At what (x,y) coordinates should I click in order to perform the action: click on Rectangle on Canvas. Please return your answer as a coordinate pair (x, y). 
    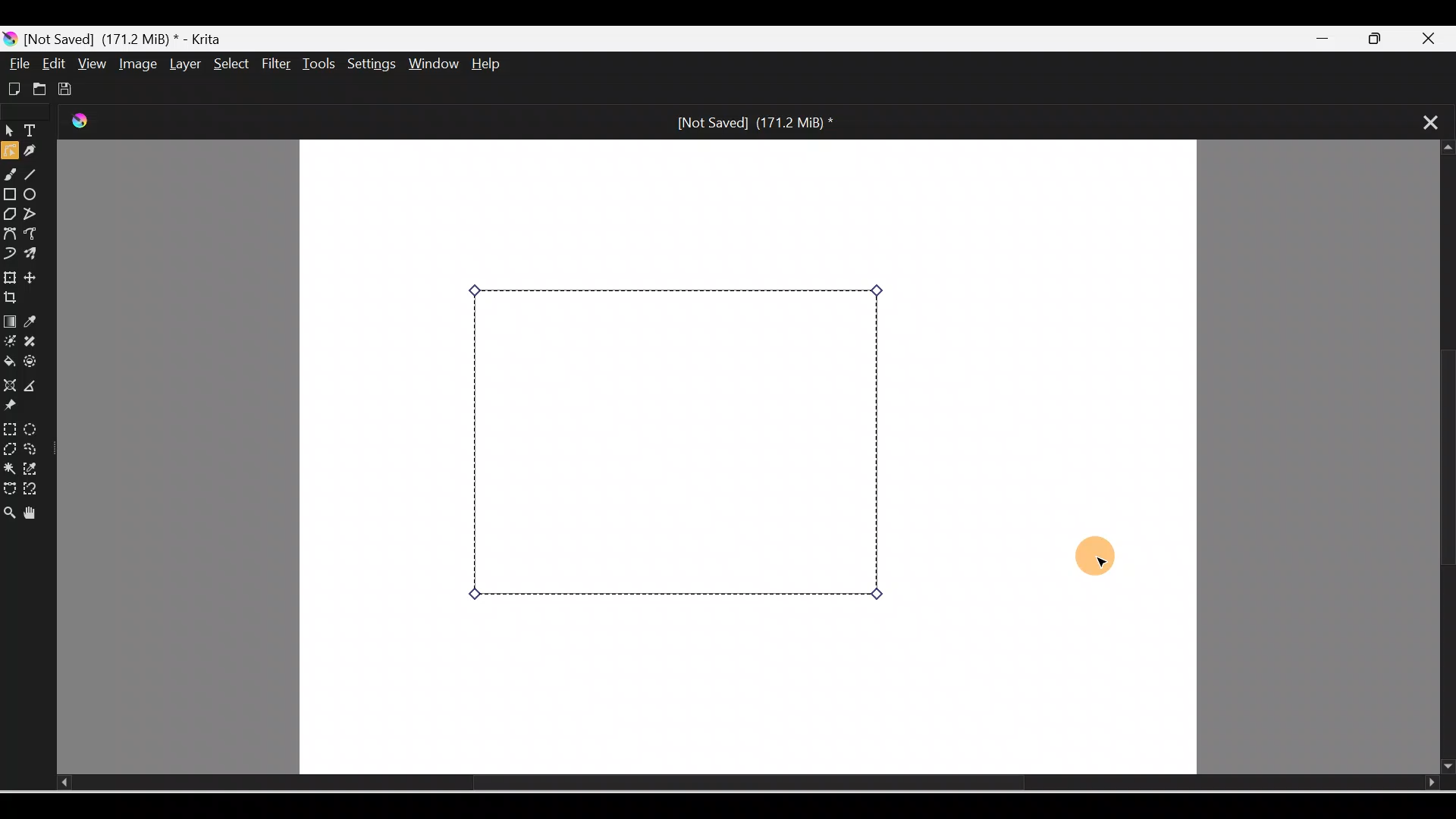
    Looking at the image, I should click on (679, 445).